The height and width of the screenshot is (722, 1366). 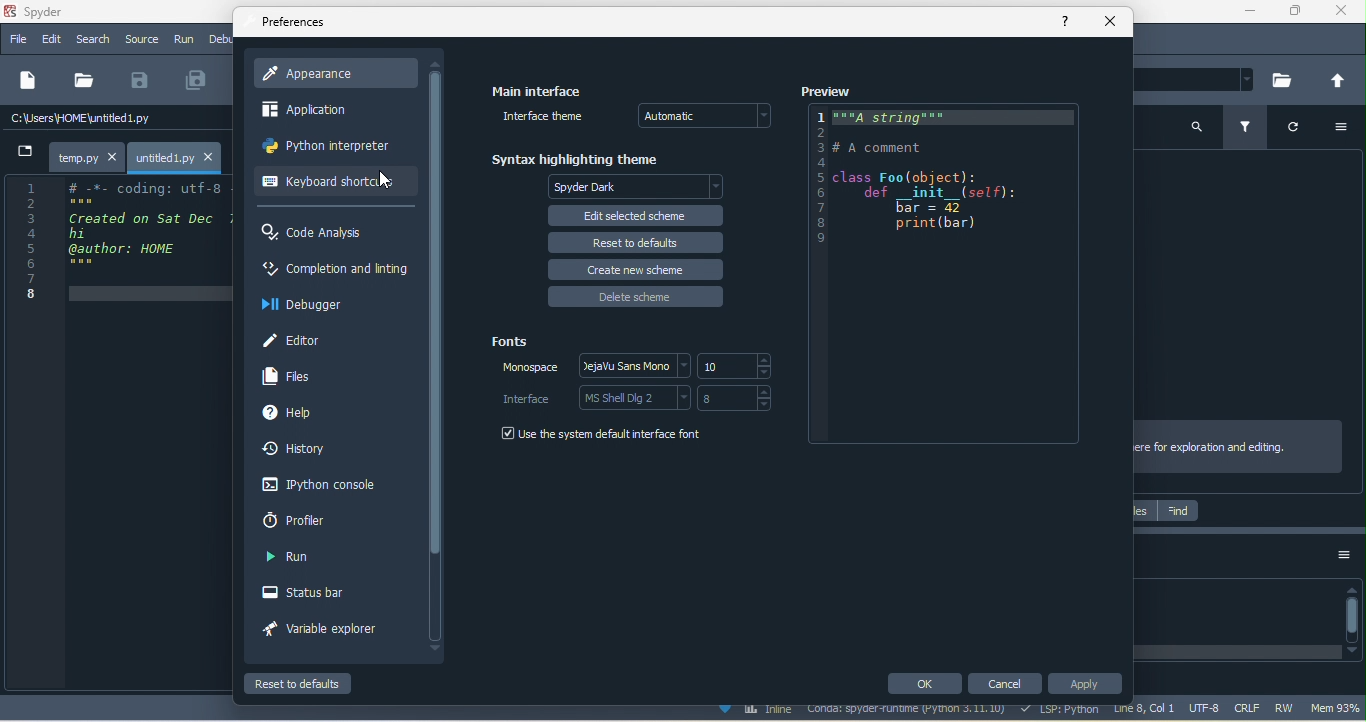 I want to click on find, so click(x=1178, y=512).